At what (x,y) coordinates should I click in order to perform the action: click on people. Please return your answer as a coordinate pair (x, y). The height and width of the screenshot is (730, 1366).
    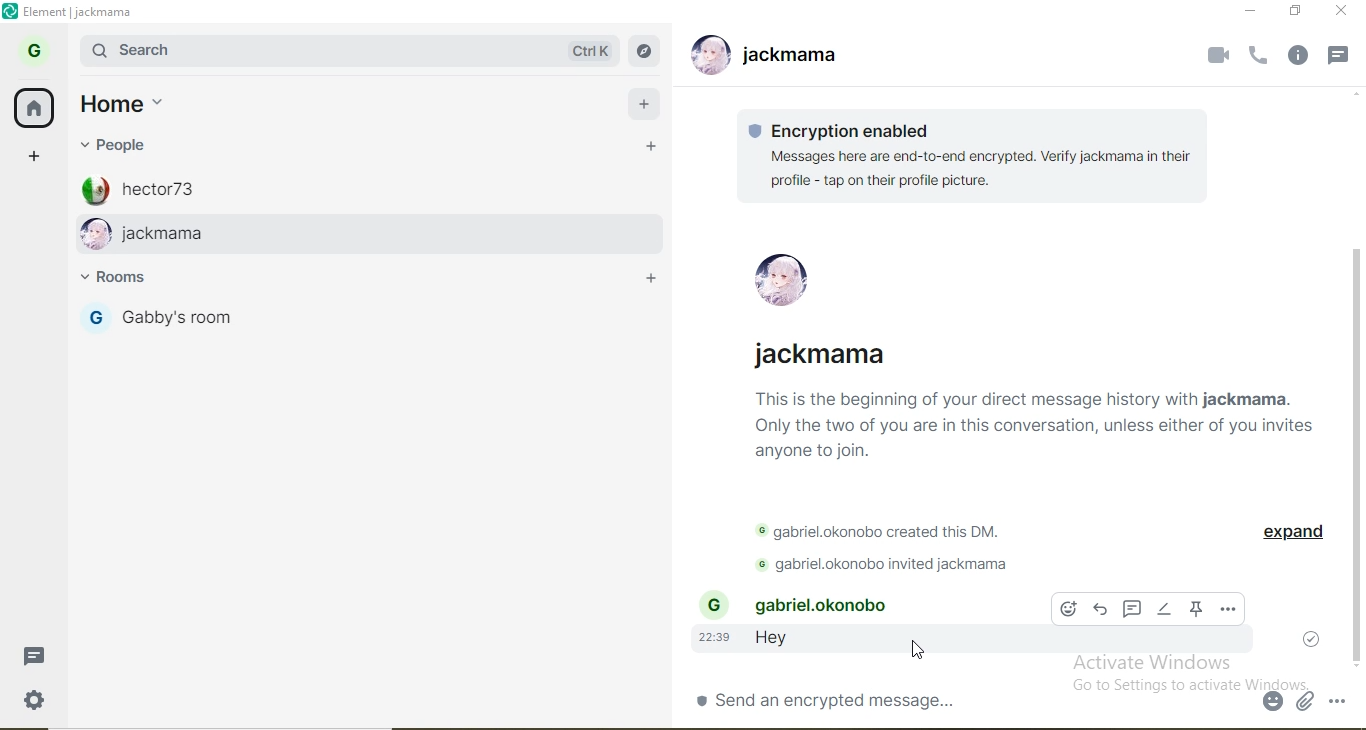
    Looking at the image, I should click on (118, 144).